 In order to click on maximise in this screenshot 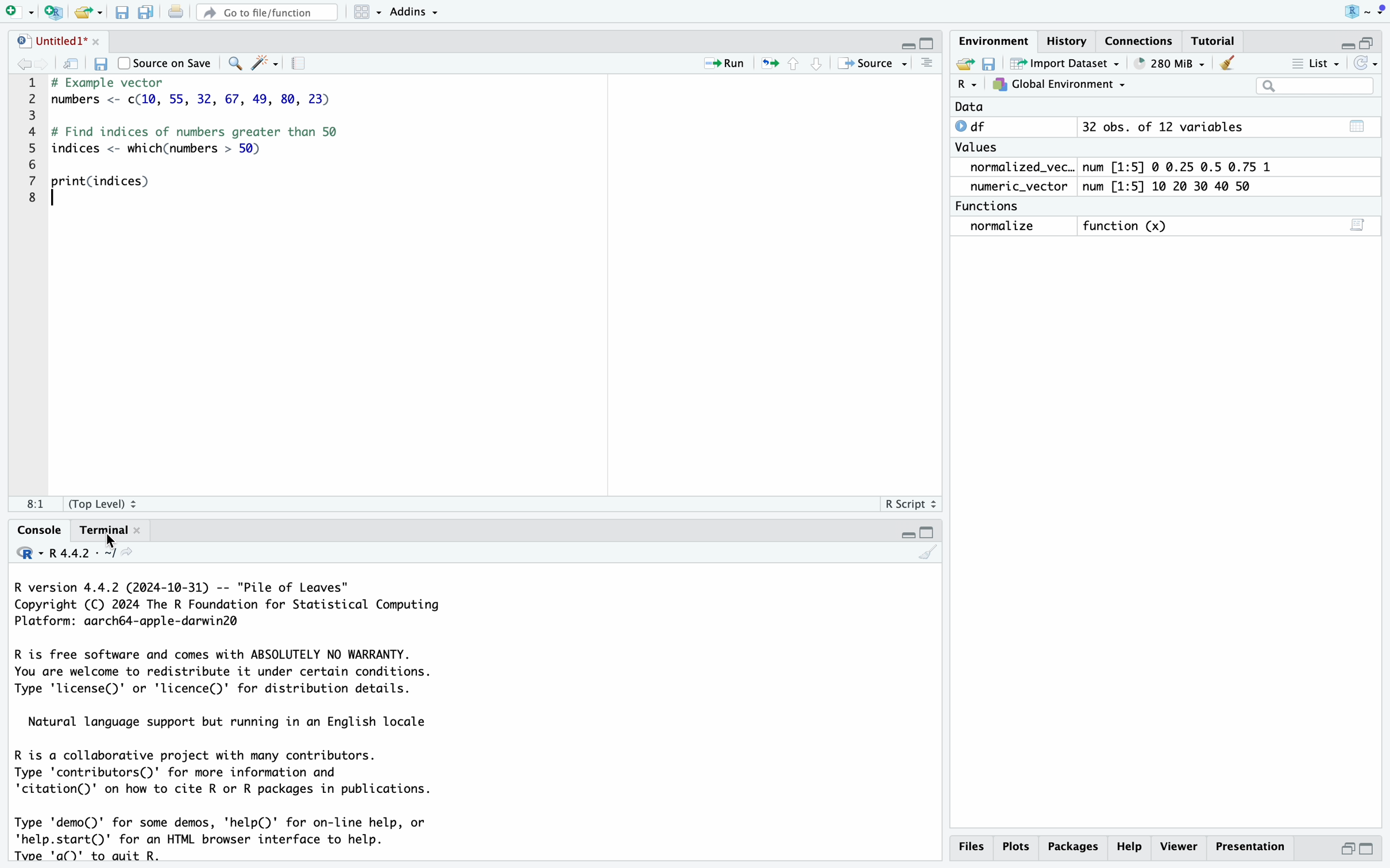, I will do `click(1368, 848)`.